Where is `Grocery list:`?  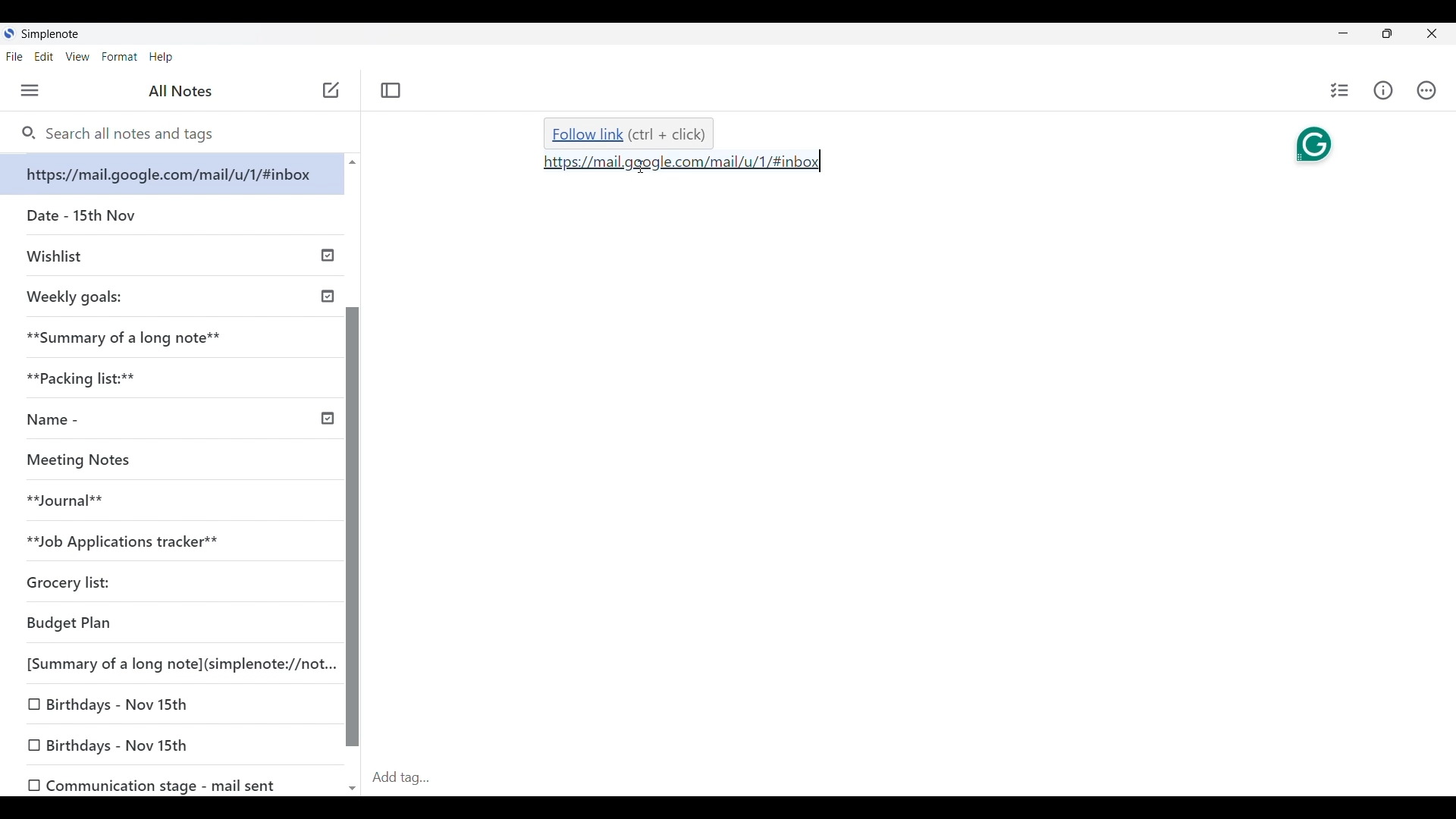
Grocery list: is located at coordinates (67, 579).